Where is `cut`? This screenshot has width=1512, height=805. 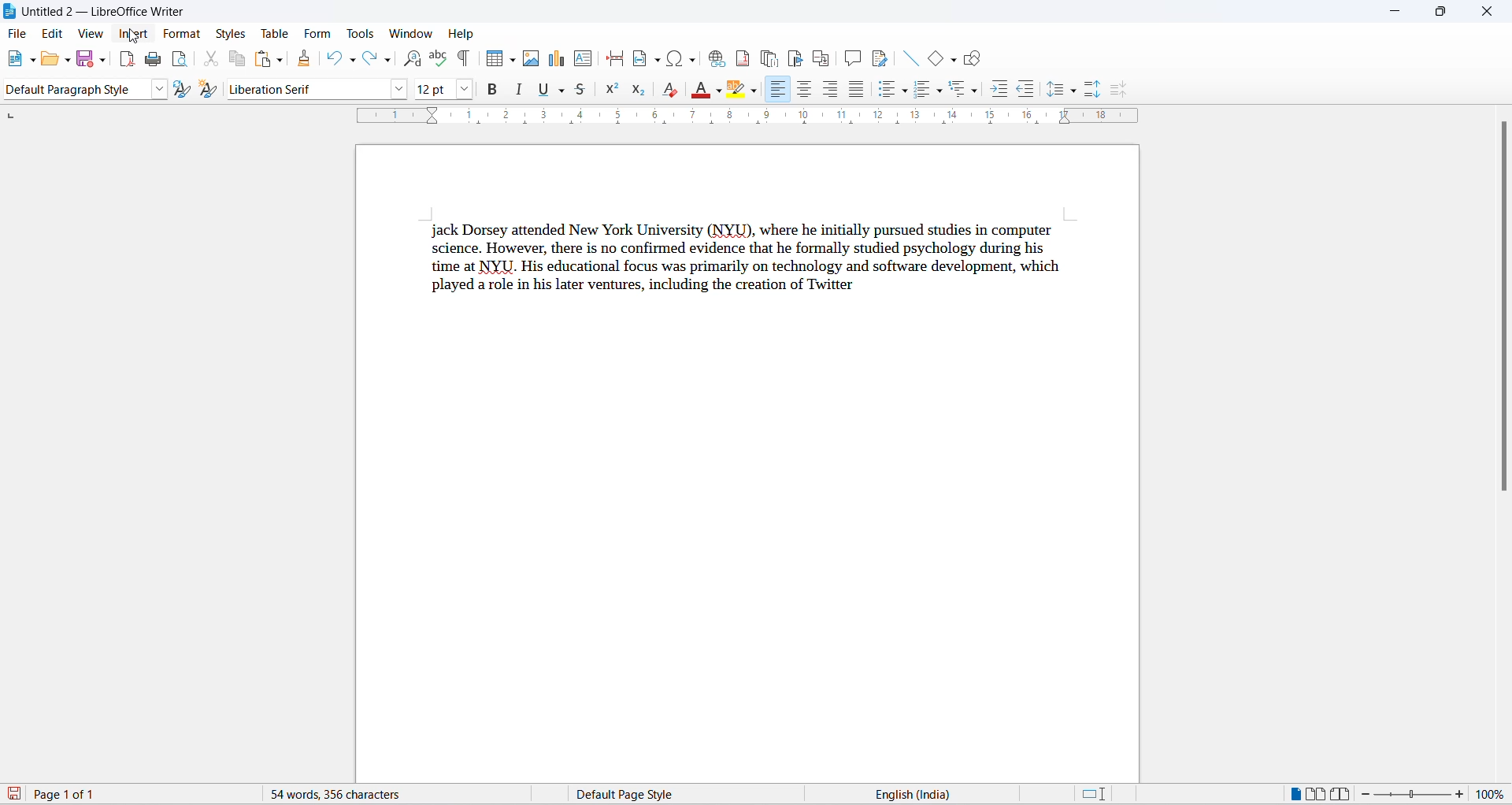
cut is located at coordinates (211, 58).